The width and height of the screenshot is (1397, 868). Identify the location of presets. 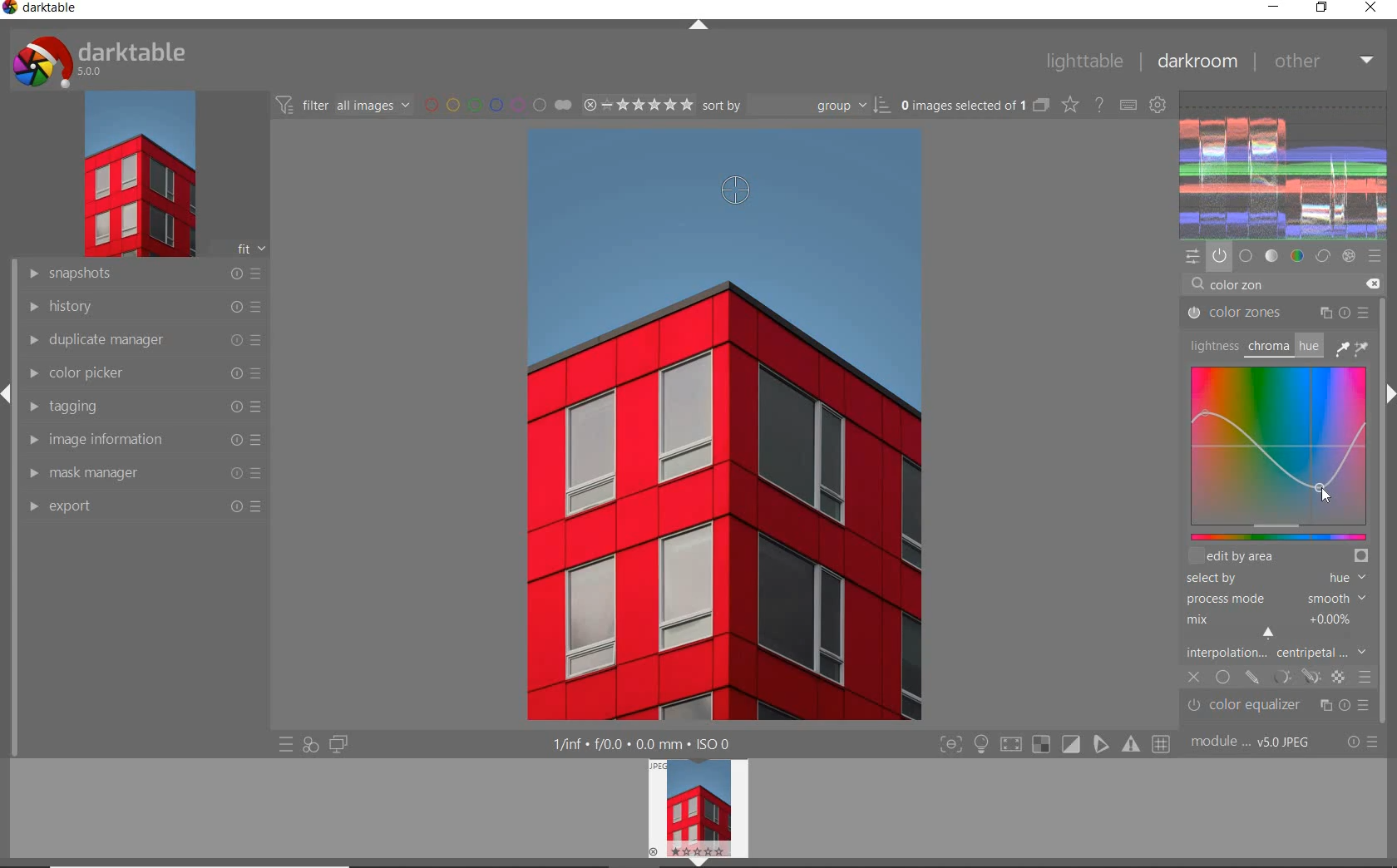
(1375, 254).